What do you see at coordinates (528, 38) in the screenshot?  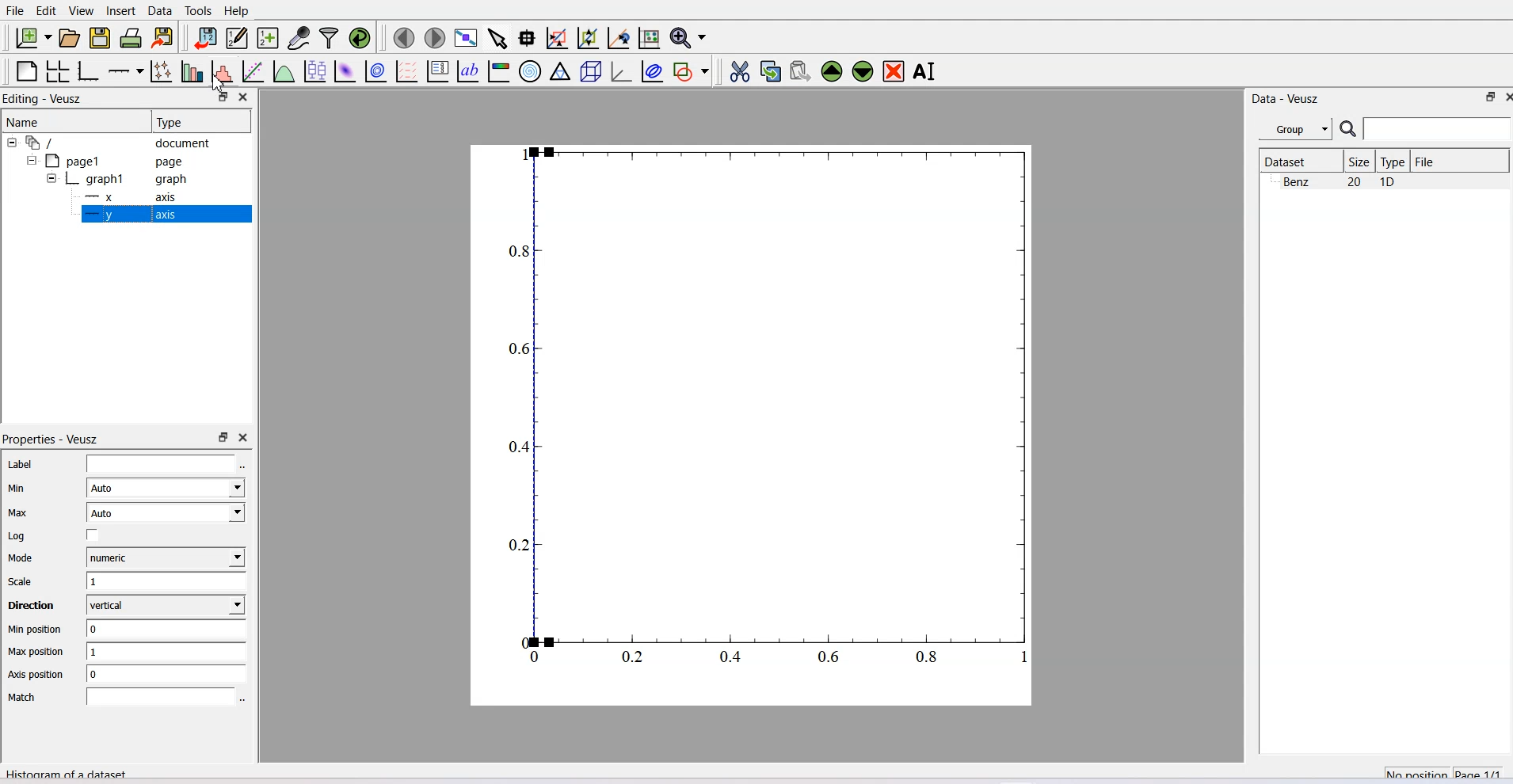 I see `Read datapoint on graph` at bounding box center [528, 38].